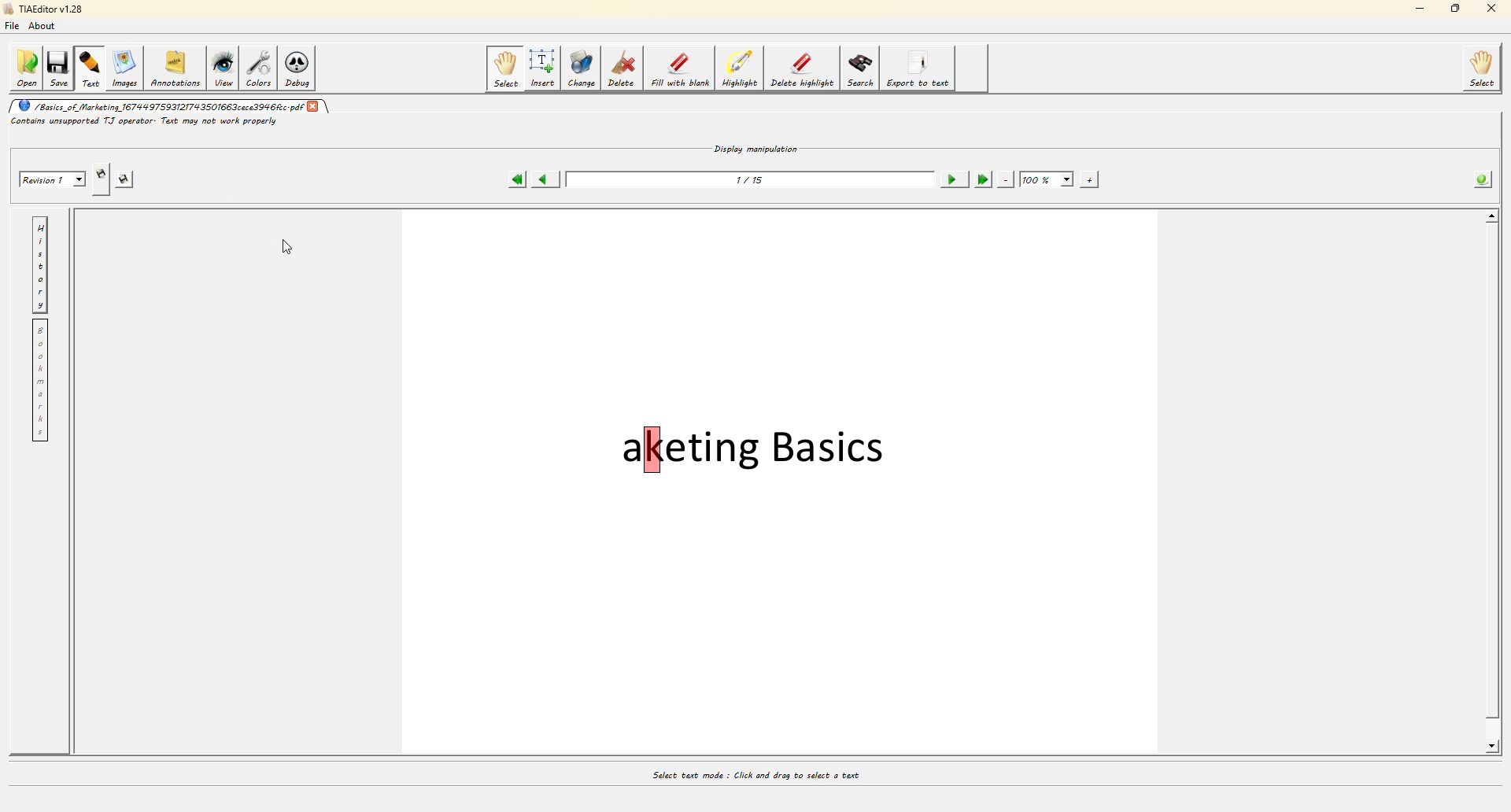  Describe the element at coordinates (144, 121) in the screenshot. I see `Contains unsupported TJ operator Text may not work properly` at that location.